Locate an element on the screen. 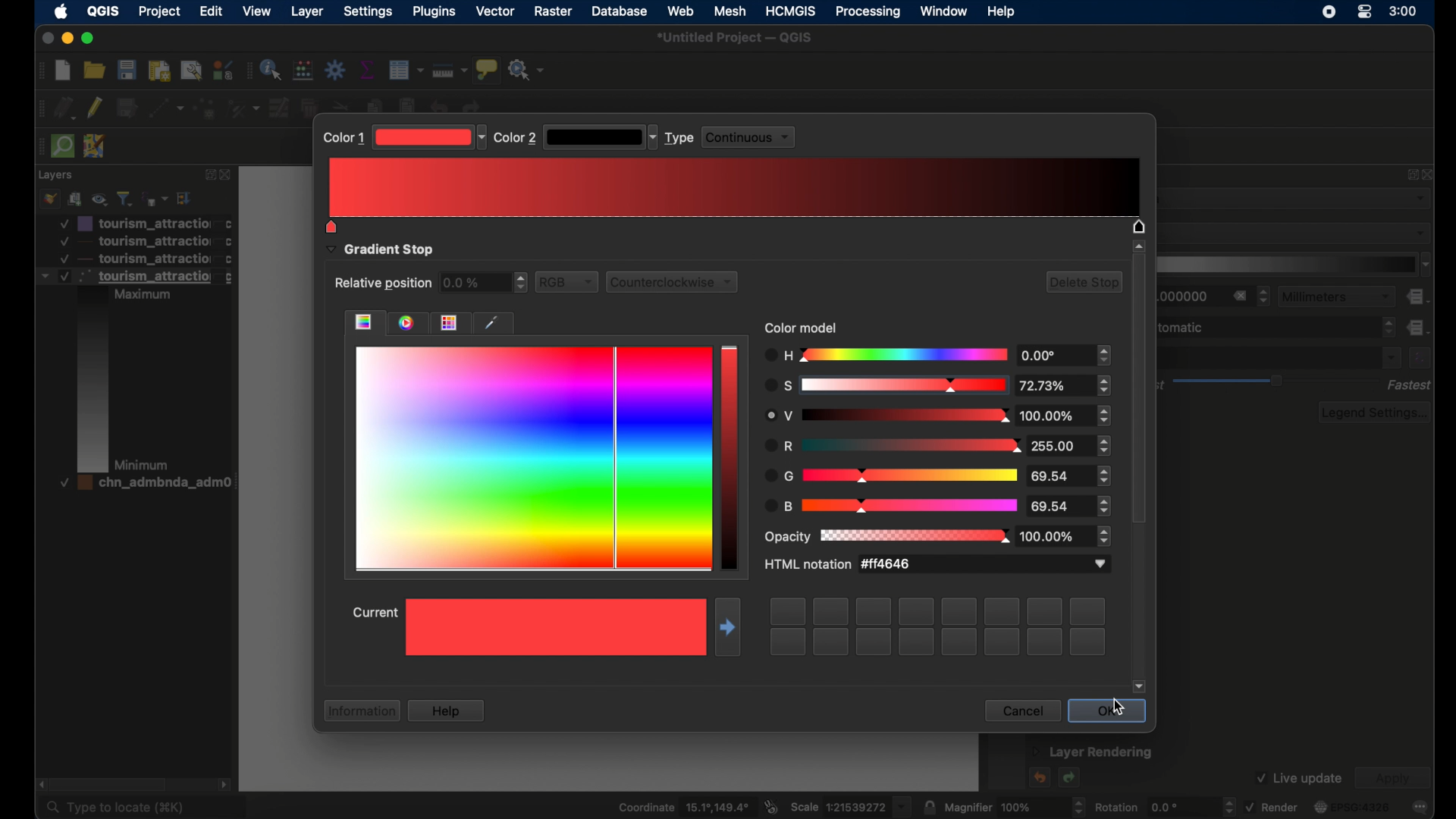  scroll up is located at coordinates (1137, 246).